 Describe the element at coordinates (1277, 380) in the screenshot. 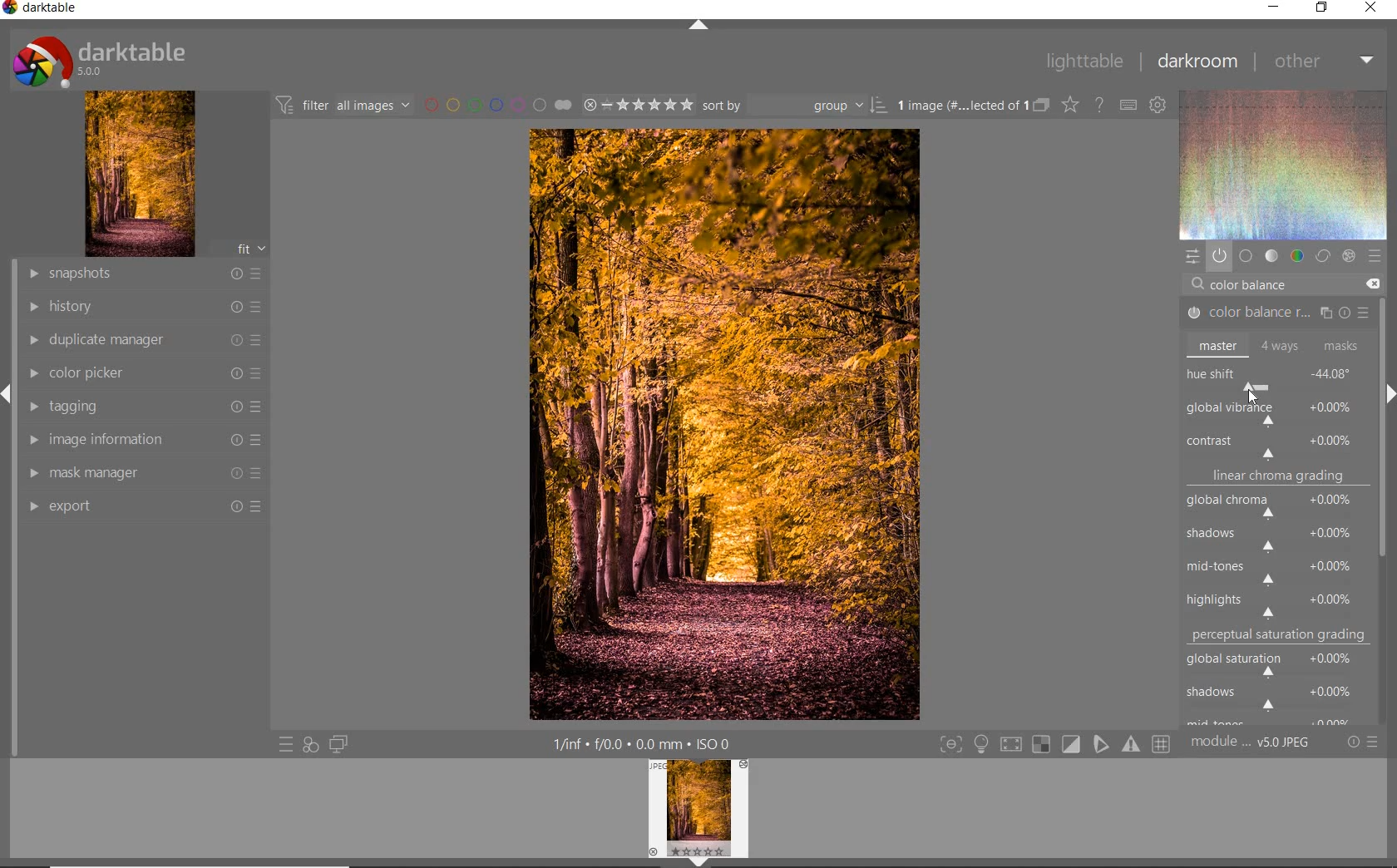

I see `hue shift` at that location.